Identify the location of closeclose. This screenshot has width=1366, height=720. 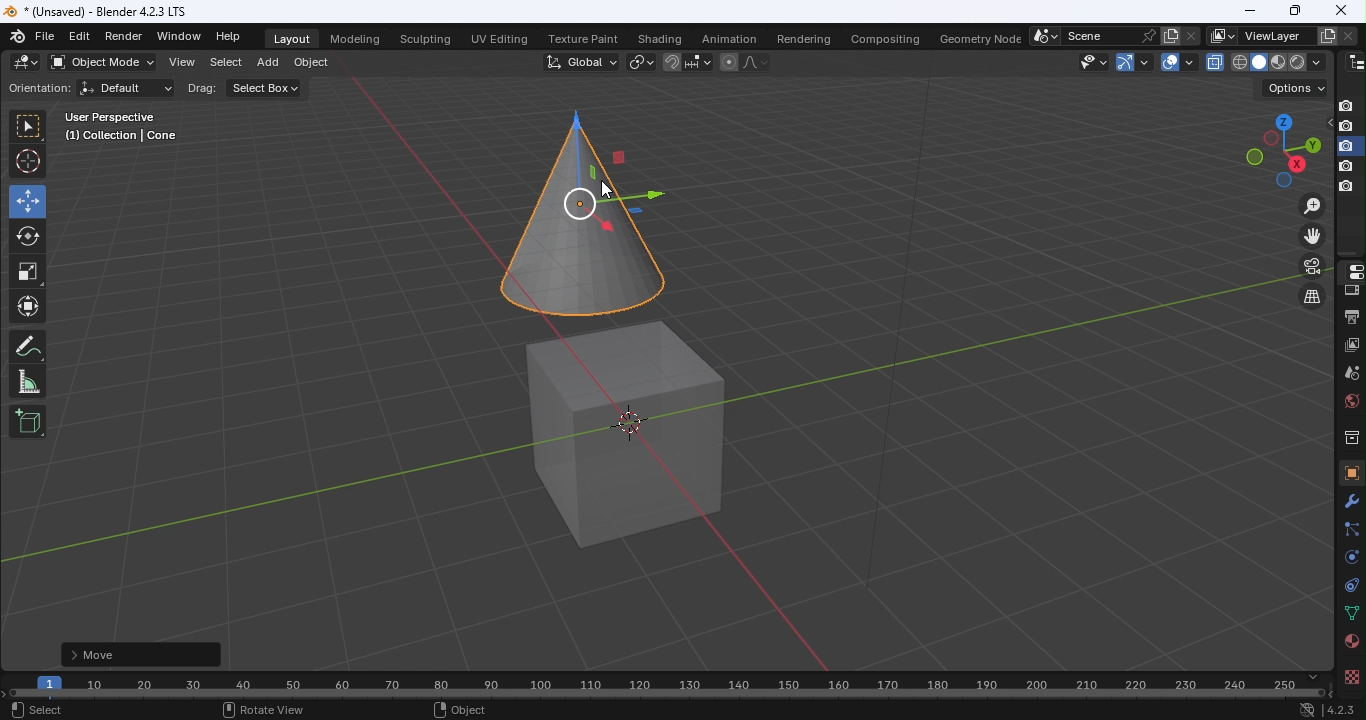
(1343, 11).